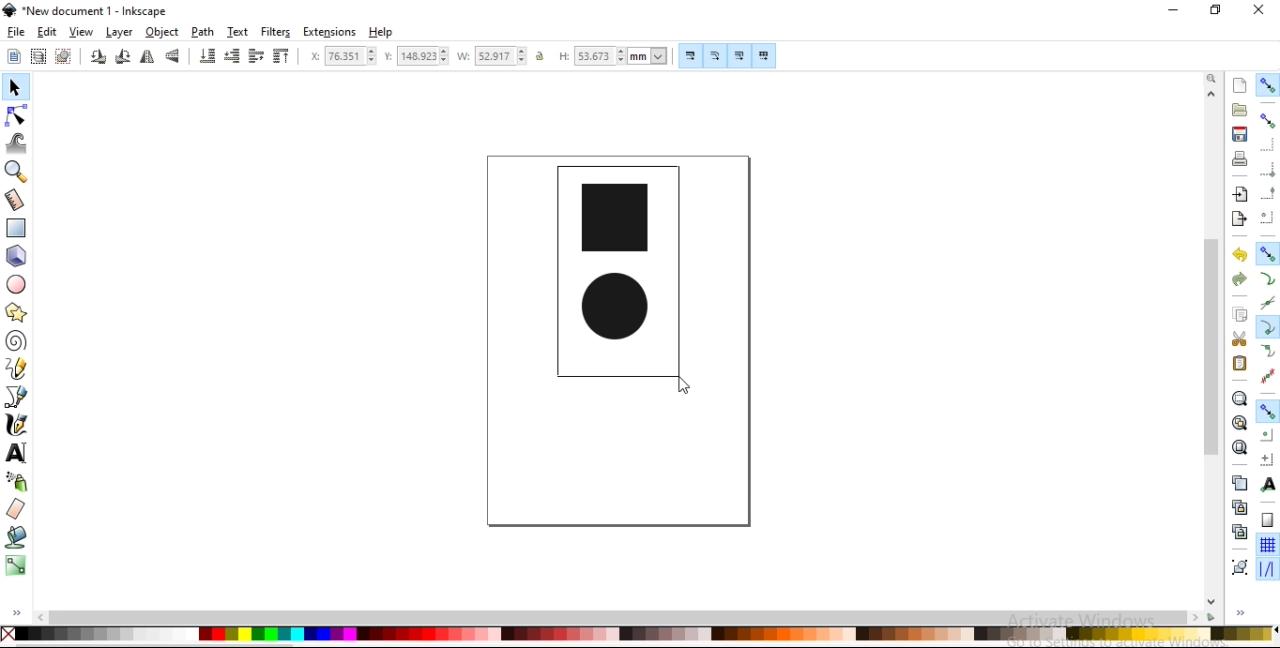 The image size is (1280, 648). Describe the element at coordinates (17, 398) in the screenshot. I see `draw bezier curves and straight lines` at that location.